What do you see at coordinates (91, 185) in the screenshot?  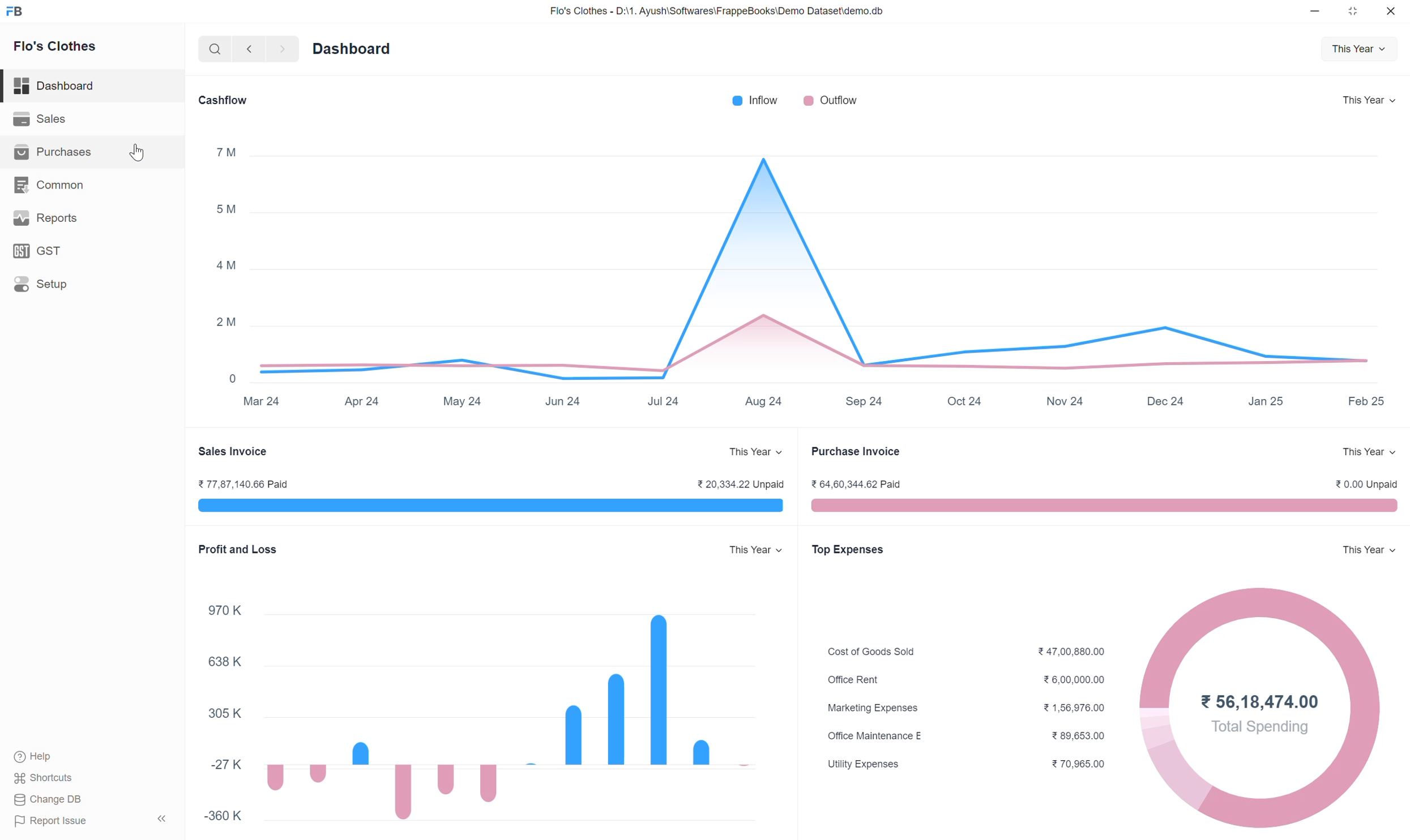 I see `Common` at bounding box center [91, 185].